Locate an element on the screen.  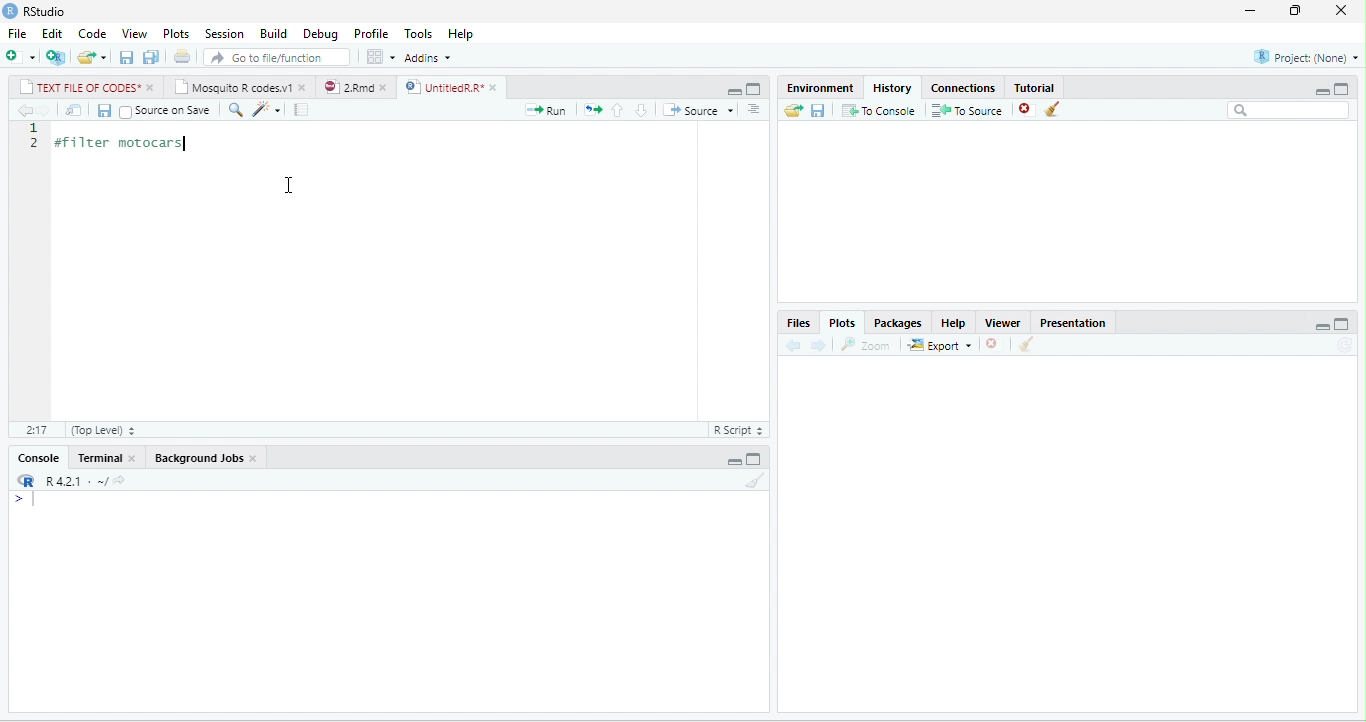
search bar is located at coordinates (1288, 110).